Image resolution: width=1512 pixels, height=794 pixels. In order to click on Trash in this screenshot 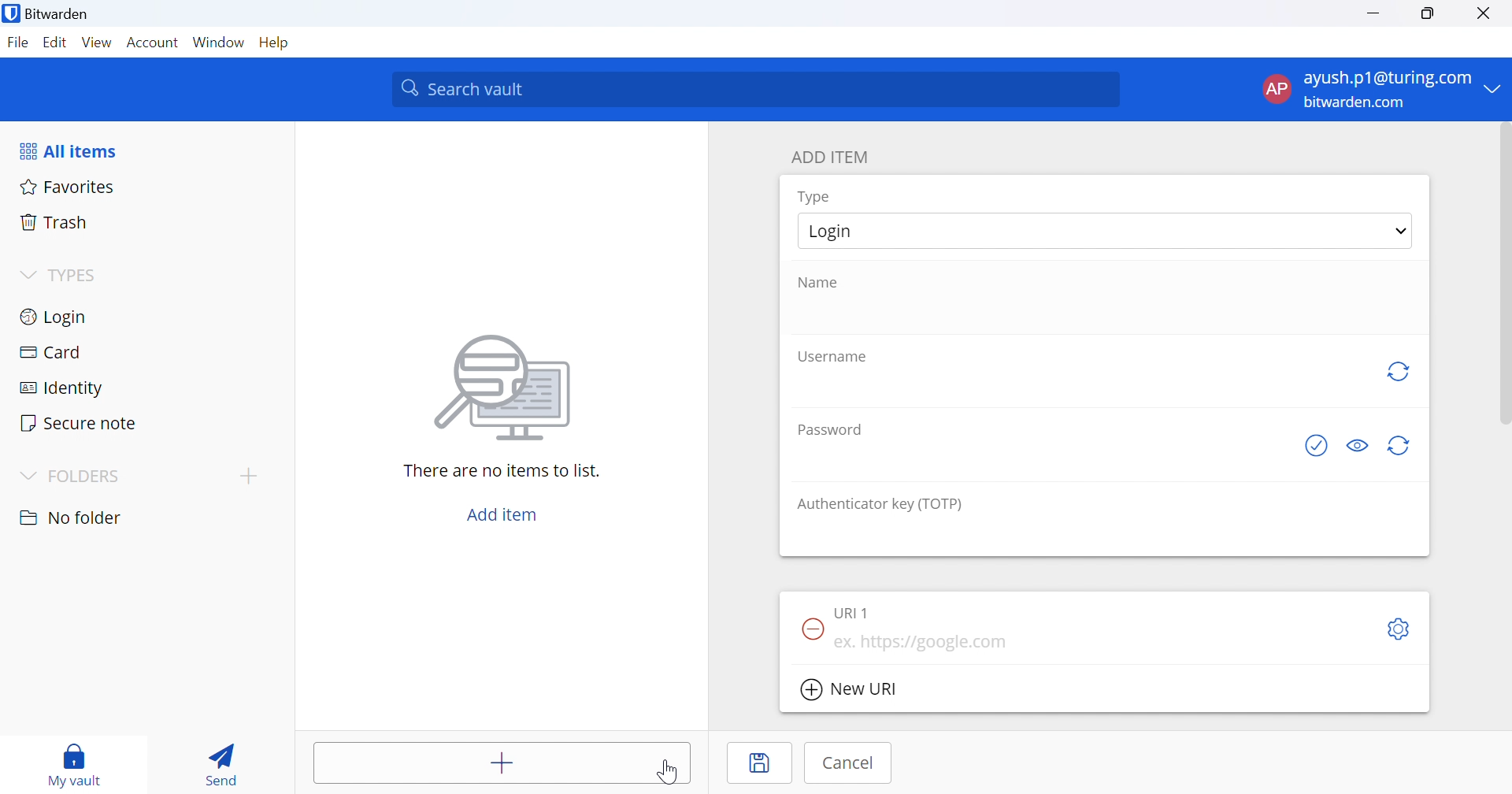, I will do `click(54, 221)`.